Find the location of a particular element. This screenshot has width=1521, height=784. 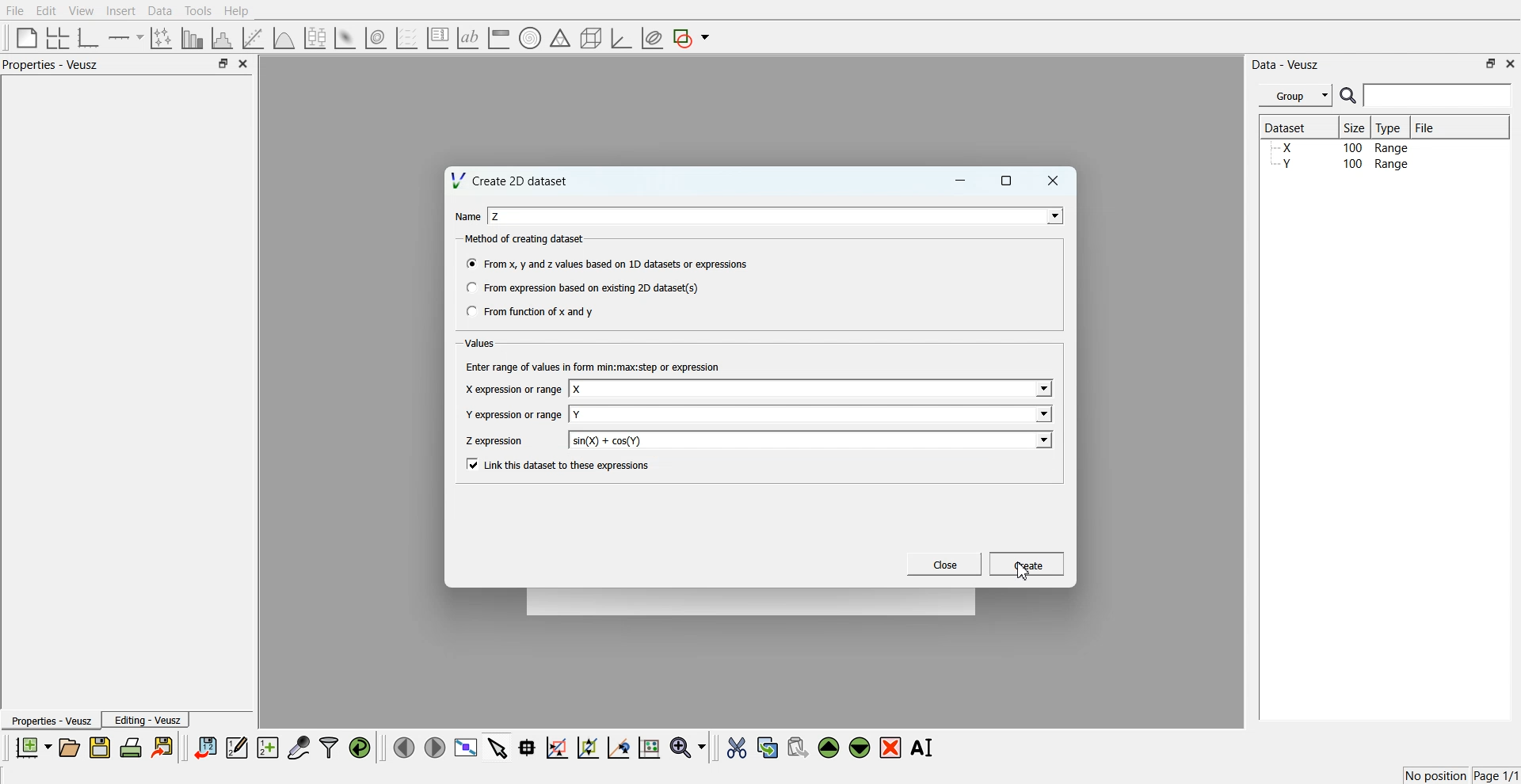

Remove the selected widget is located at coordinates (890, 748).